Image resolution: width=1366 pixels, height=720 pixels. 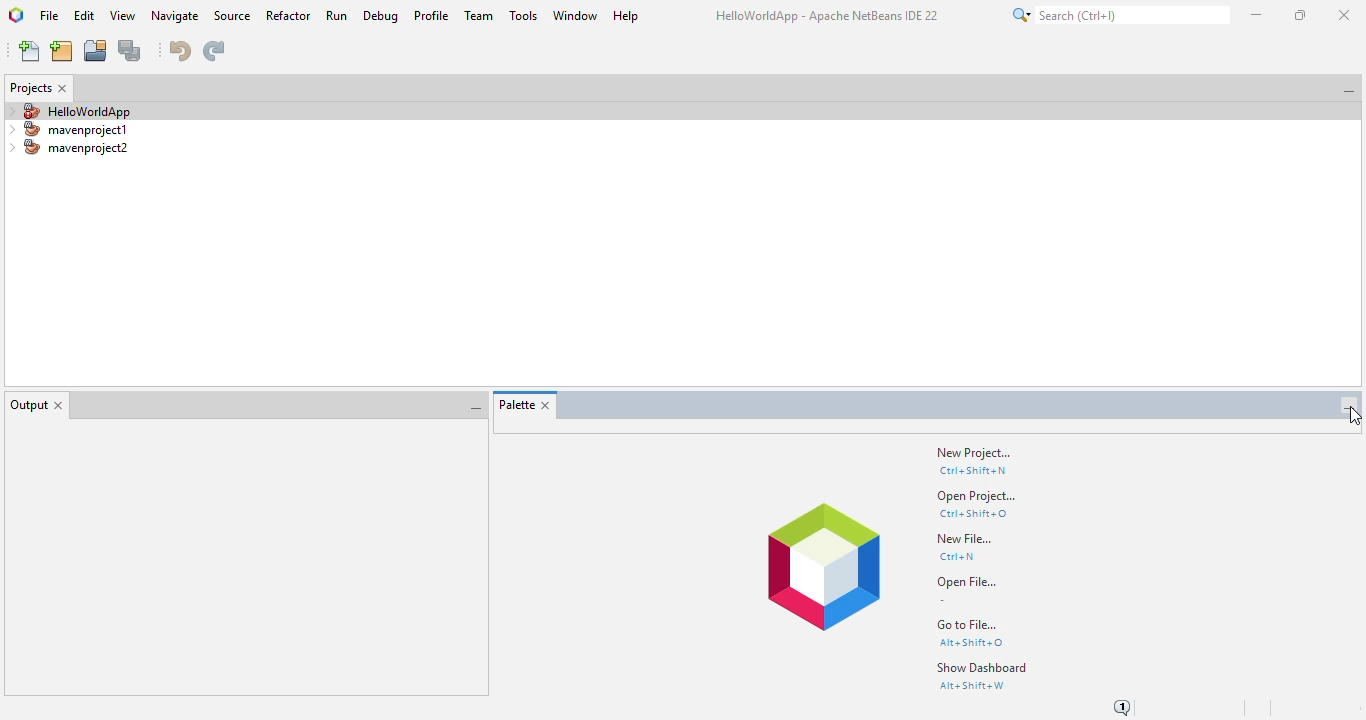 I want to click on shortcut for go to file, so click(x=972, y=642).